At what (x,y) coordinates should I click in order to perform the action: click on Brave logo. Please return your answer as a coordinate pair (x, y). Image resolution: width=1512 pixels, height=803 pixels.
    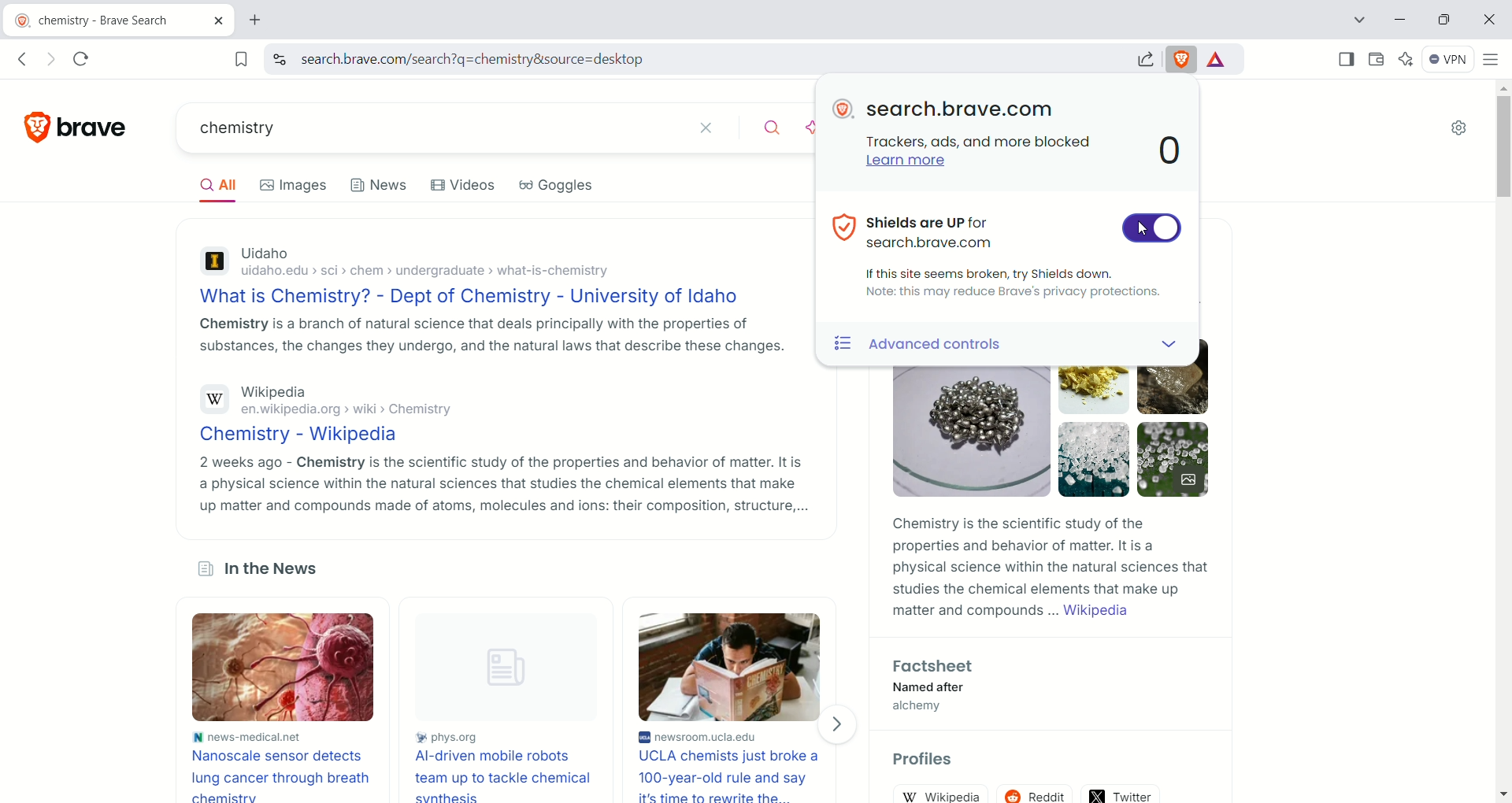
    Looking at the image, I should click on (78, 127).